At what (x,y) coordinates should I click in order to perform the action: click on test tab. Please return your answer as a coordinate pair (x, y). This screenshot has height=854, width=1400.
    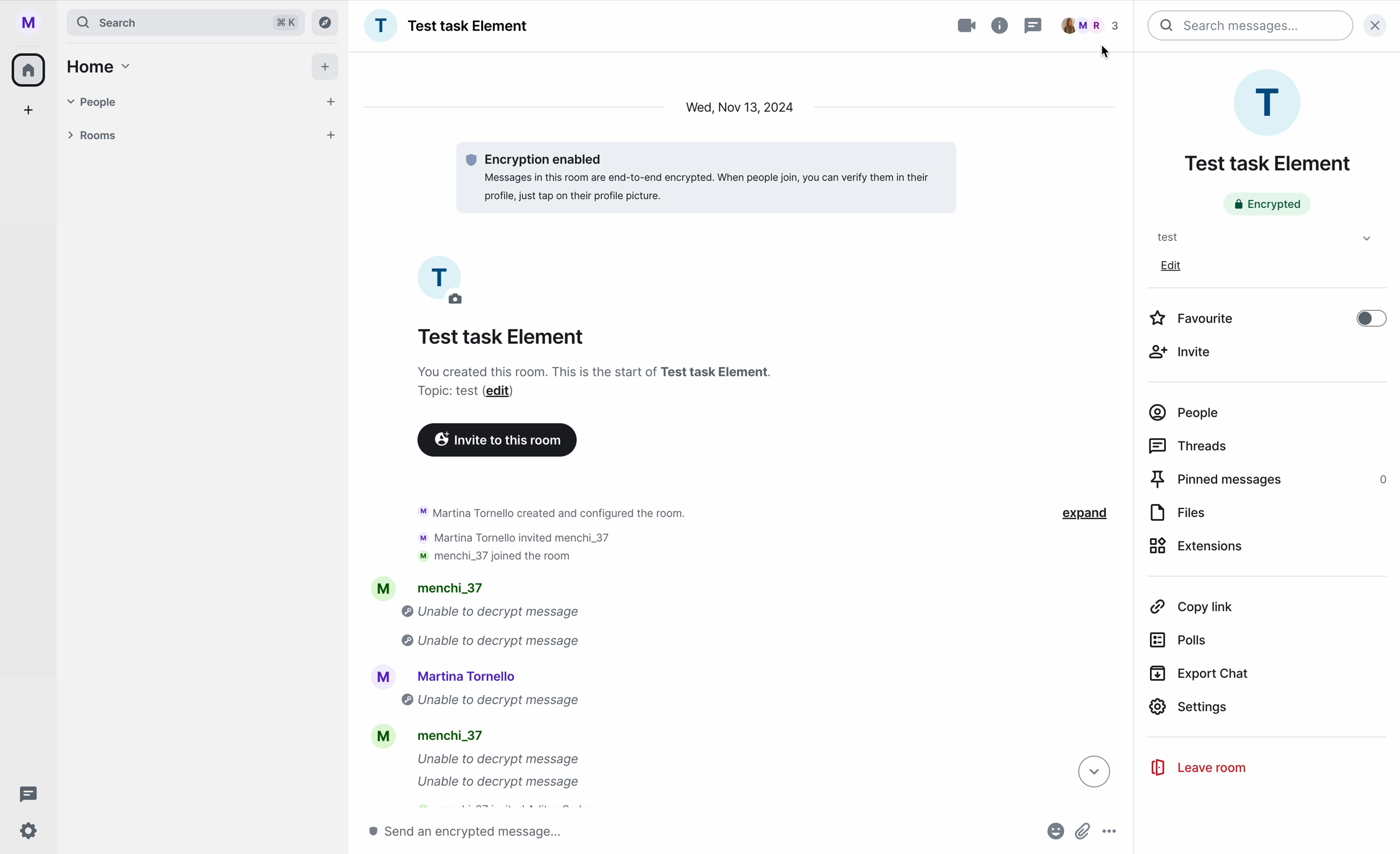
    Looking at the image, I should click on (1260, 237).